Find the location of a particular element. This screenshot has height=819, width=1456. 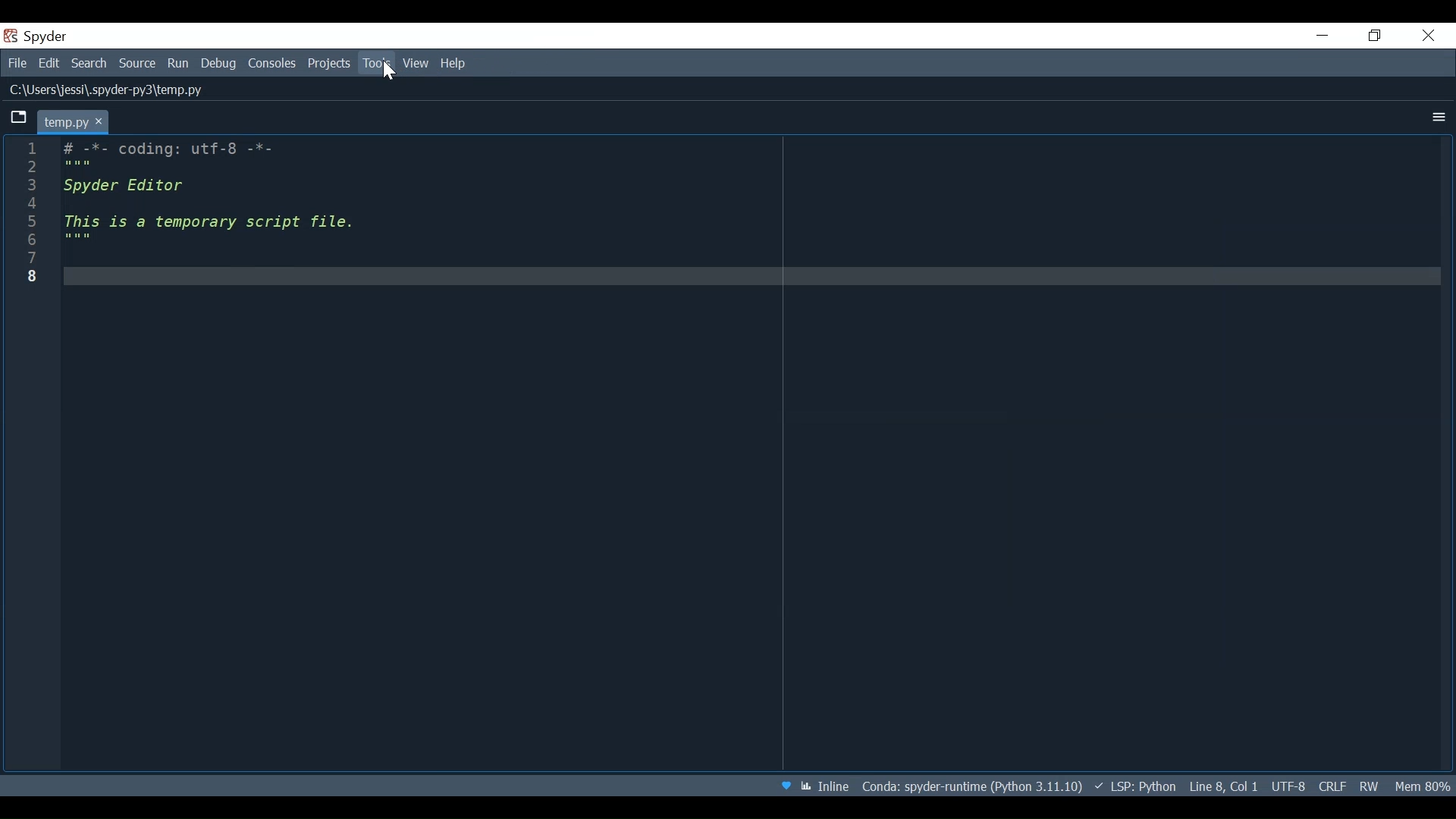

File Path is located at coordinates (108, 91).